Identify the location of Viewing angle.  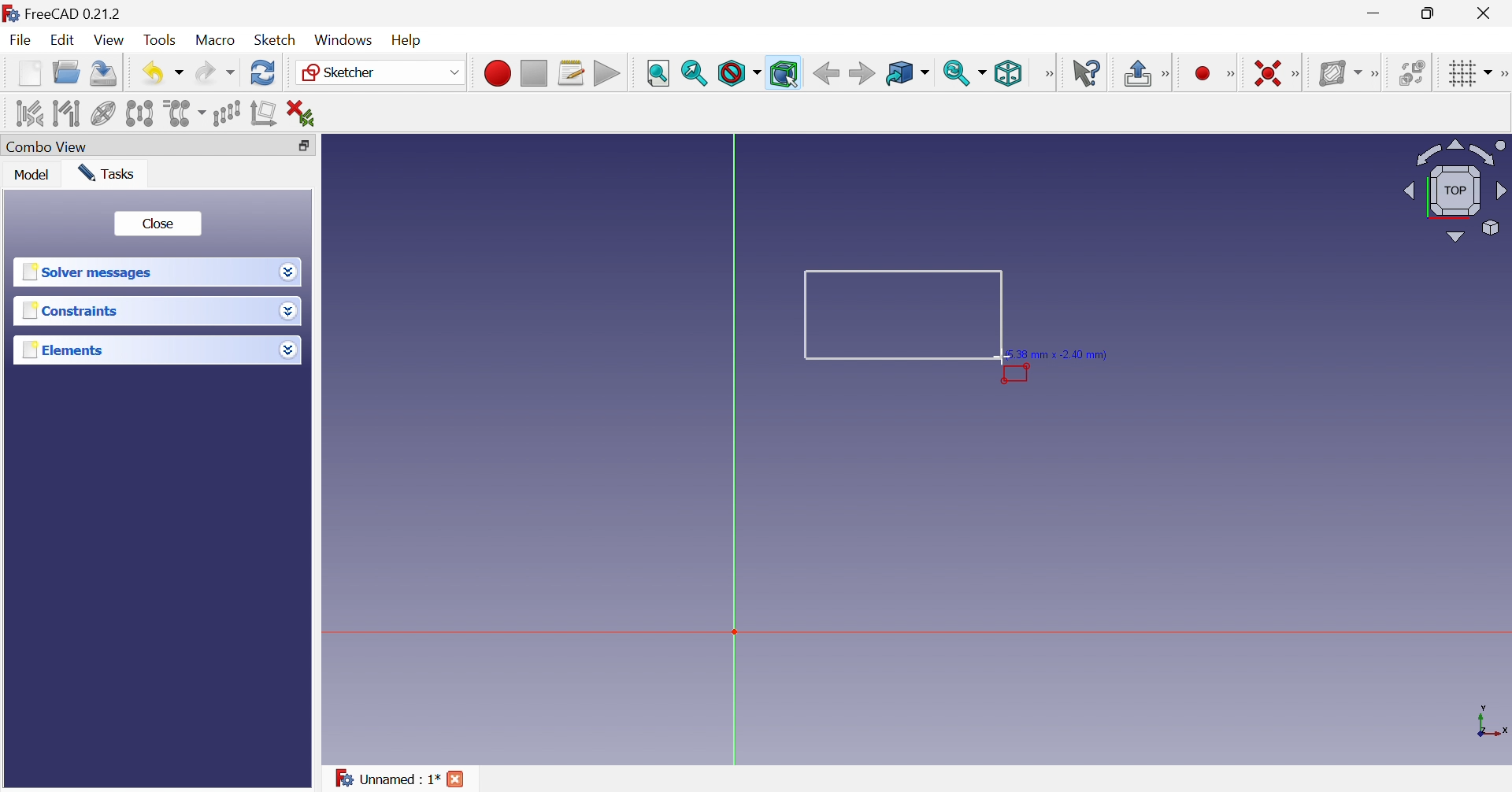
(1455, 192).